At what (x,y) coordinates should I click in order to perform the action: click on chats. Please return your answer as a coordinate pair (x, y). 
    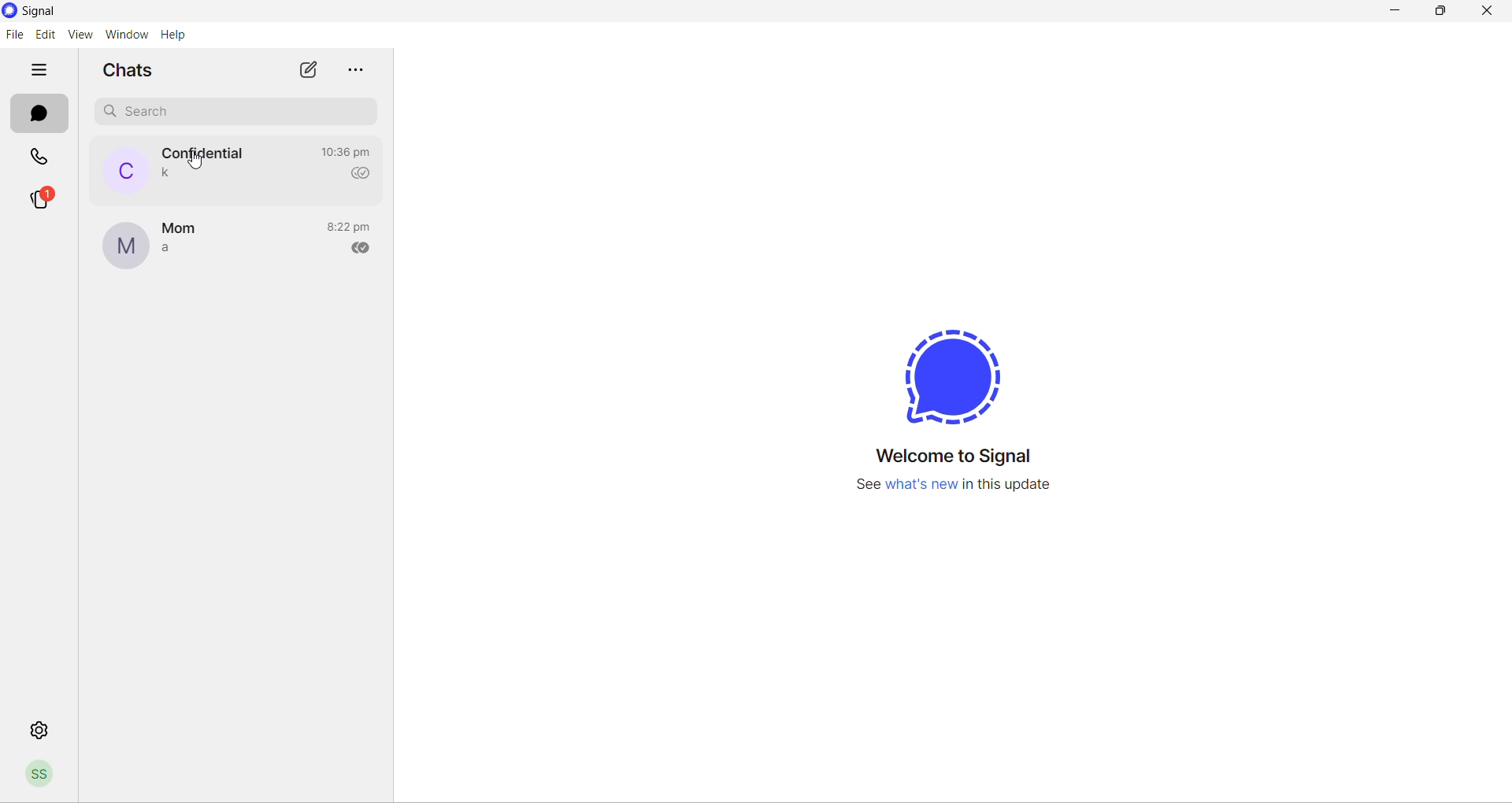
    Looking at the image, I should click on (41, 115).